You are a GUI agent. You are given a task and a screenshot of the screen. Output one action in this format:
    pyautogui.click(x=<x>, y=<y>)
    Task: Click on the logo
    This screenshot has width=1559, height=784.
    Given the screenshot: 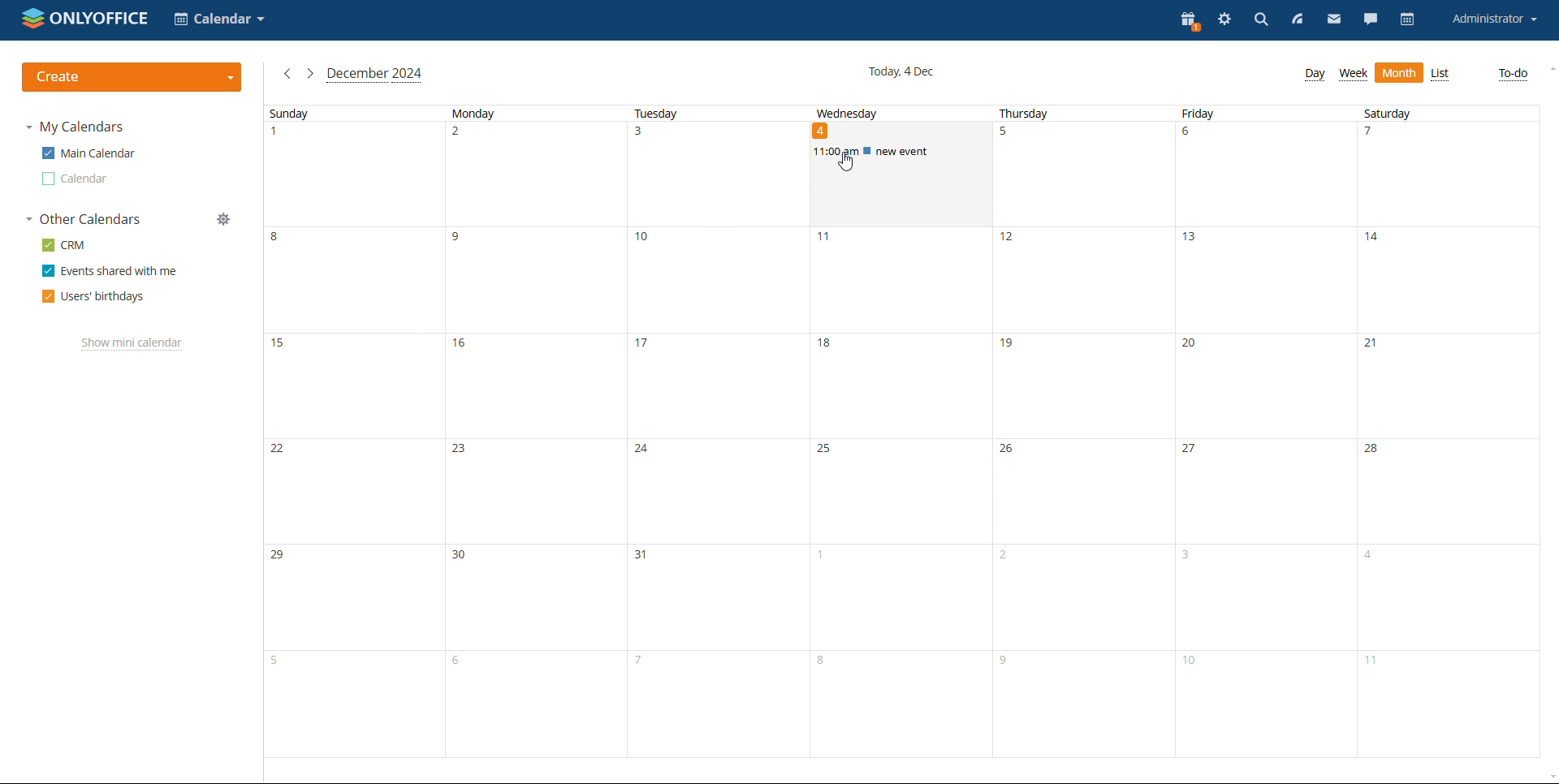 What is the action you would take?
    pyautogui.click(x=85, y=19)
    